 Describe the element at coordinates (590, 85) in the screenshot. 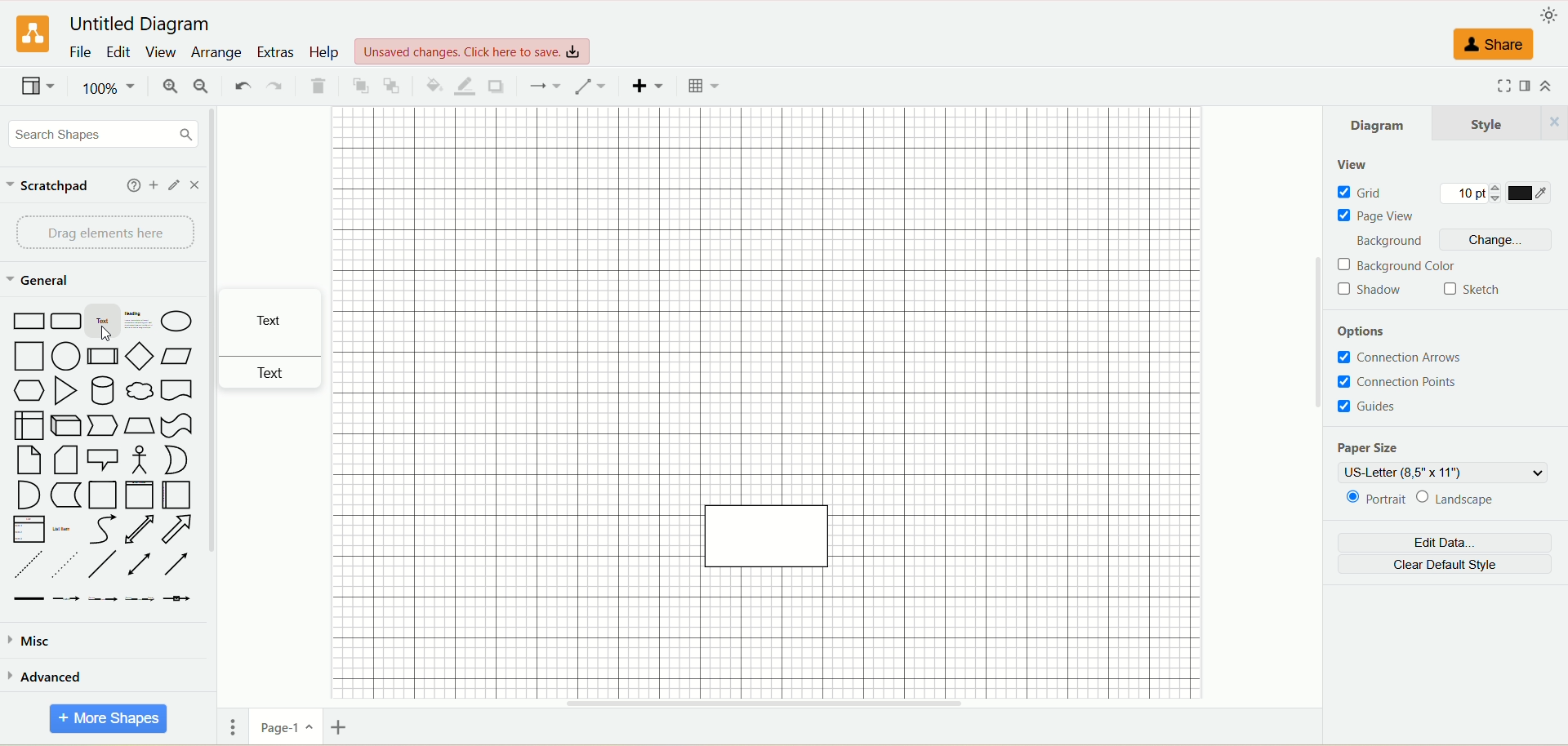

I see `waypoint` at that location.